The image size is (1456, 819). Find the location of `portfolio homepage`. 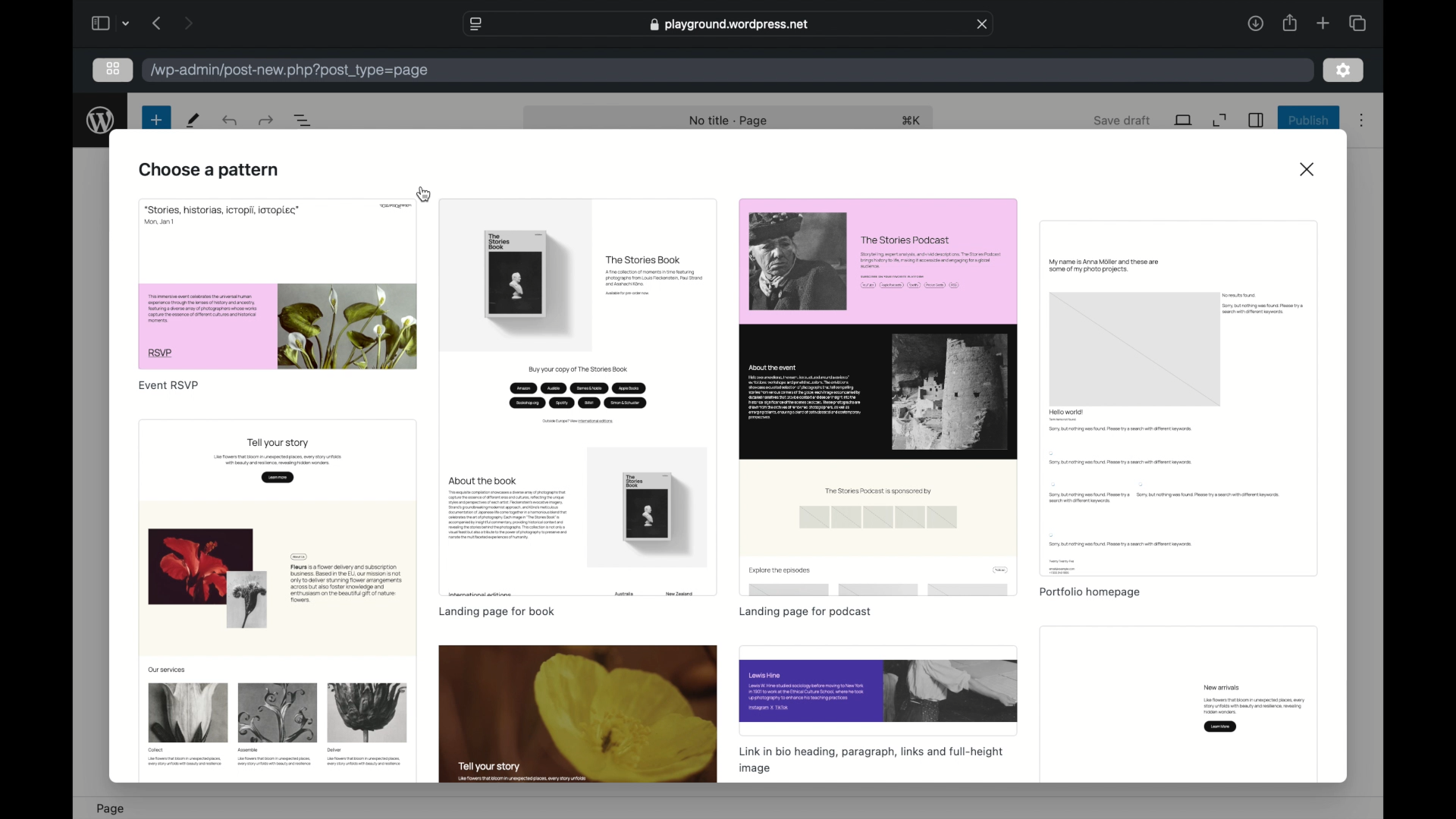

portfolio homepage is located at coordinates (1089, 593).